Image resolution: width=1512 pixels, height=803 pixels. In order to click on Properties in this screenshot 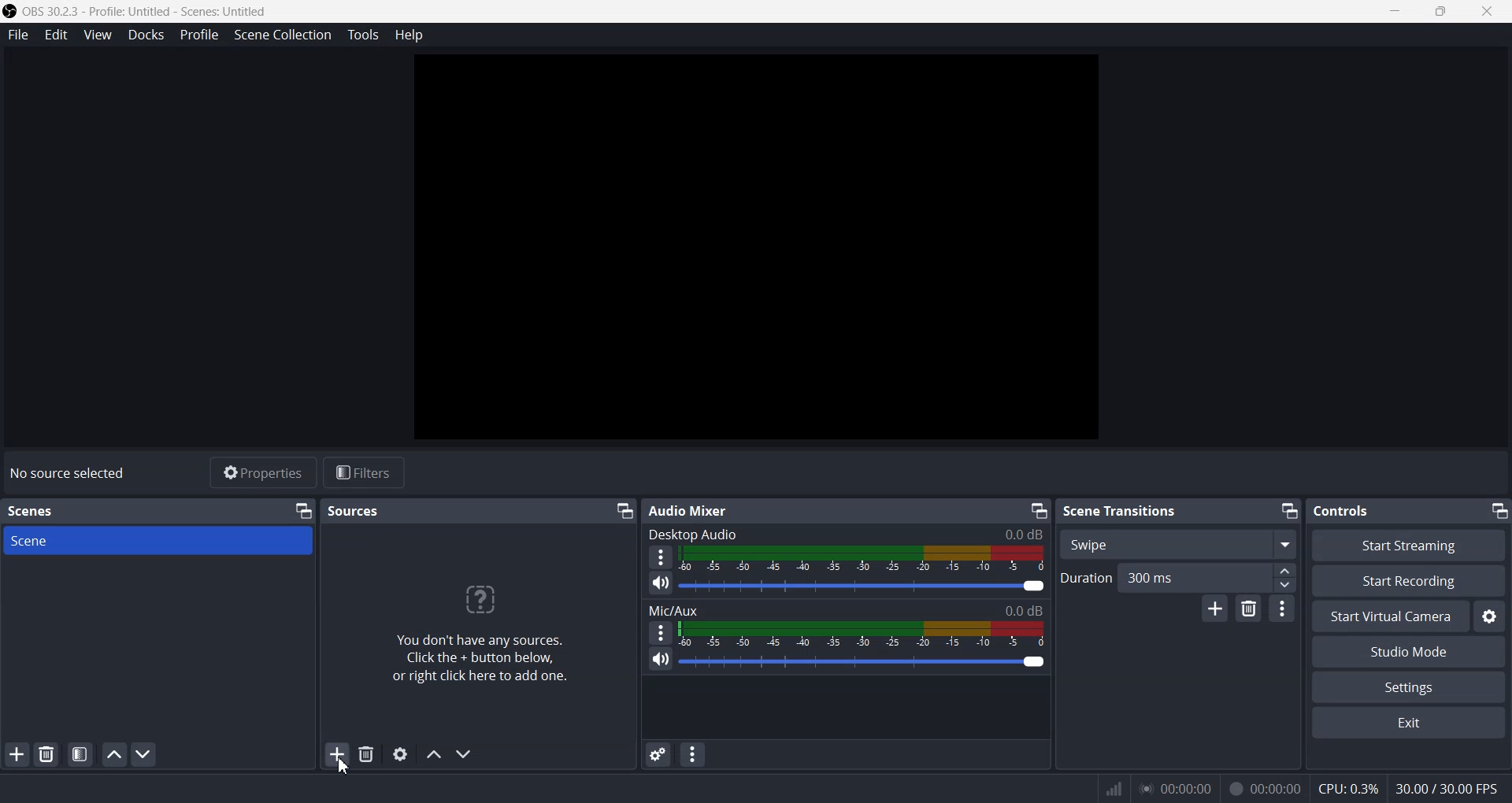, I will do `click(262, 472)`.